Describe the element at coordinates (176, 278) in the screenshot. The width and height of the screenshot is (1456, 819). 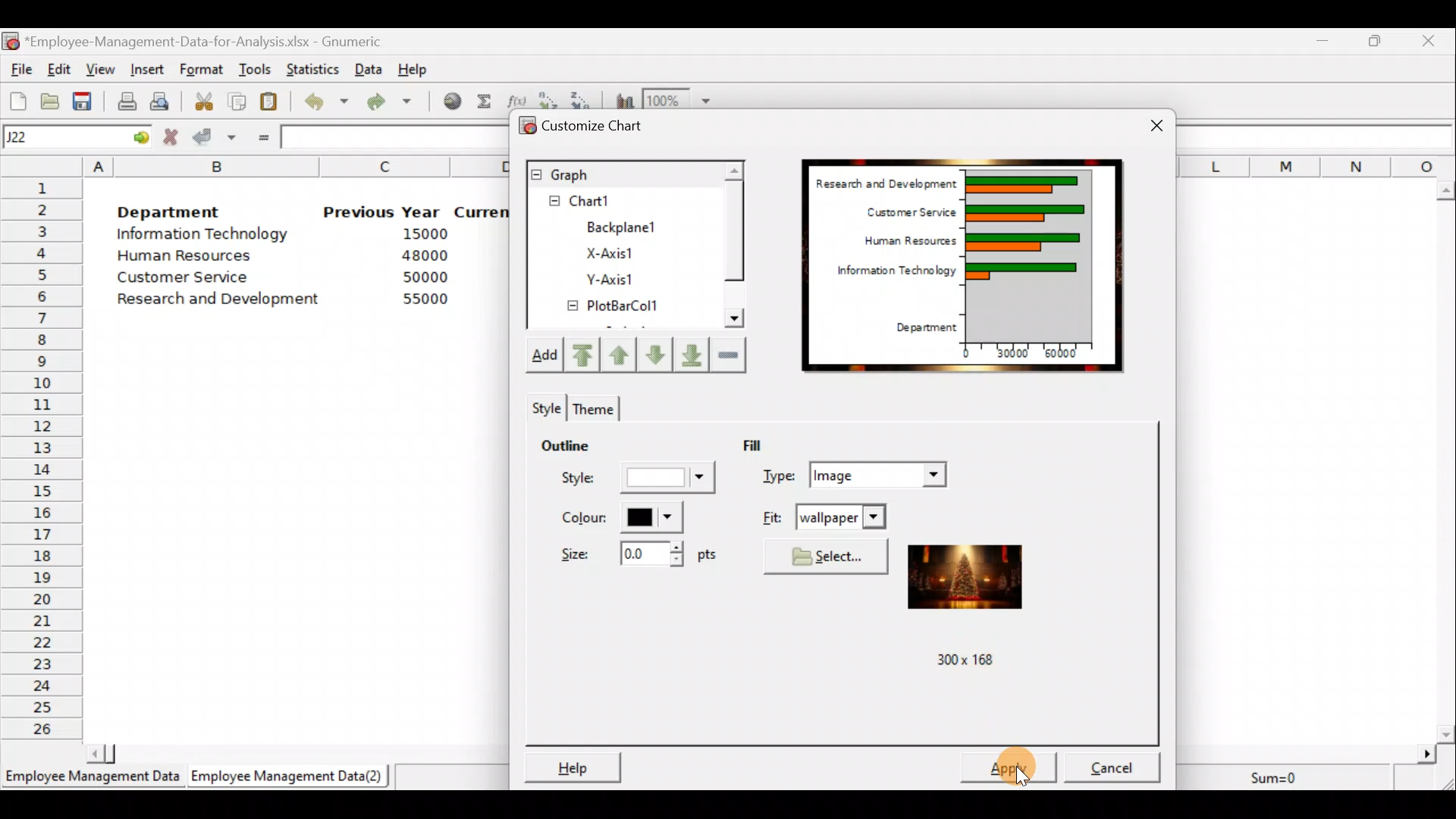
I see `Customer Service` at that location.